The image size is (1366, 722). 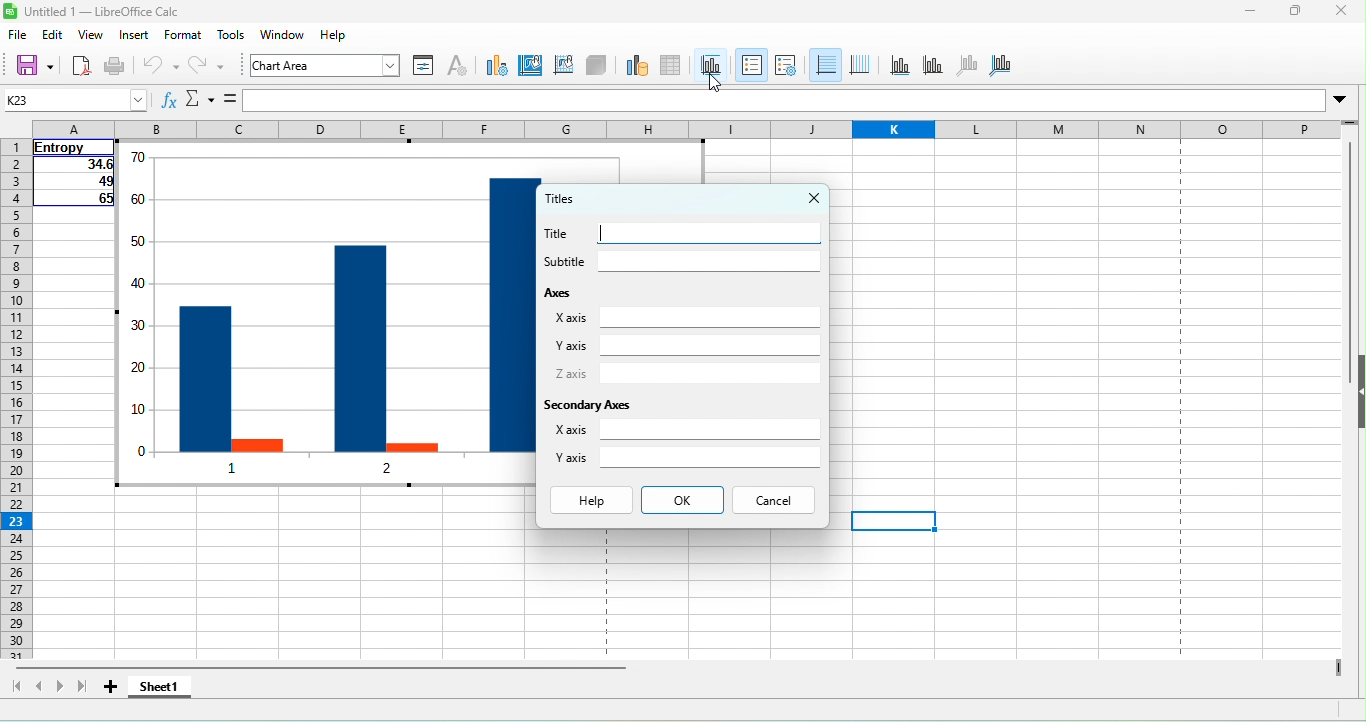 I want to click on axes, so click(x=584, y=294).